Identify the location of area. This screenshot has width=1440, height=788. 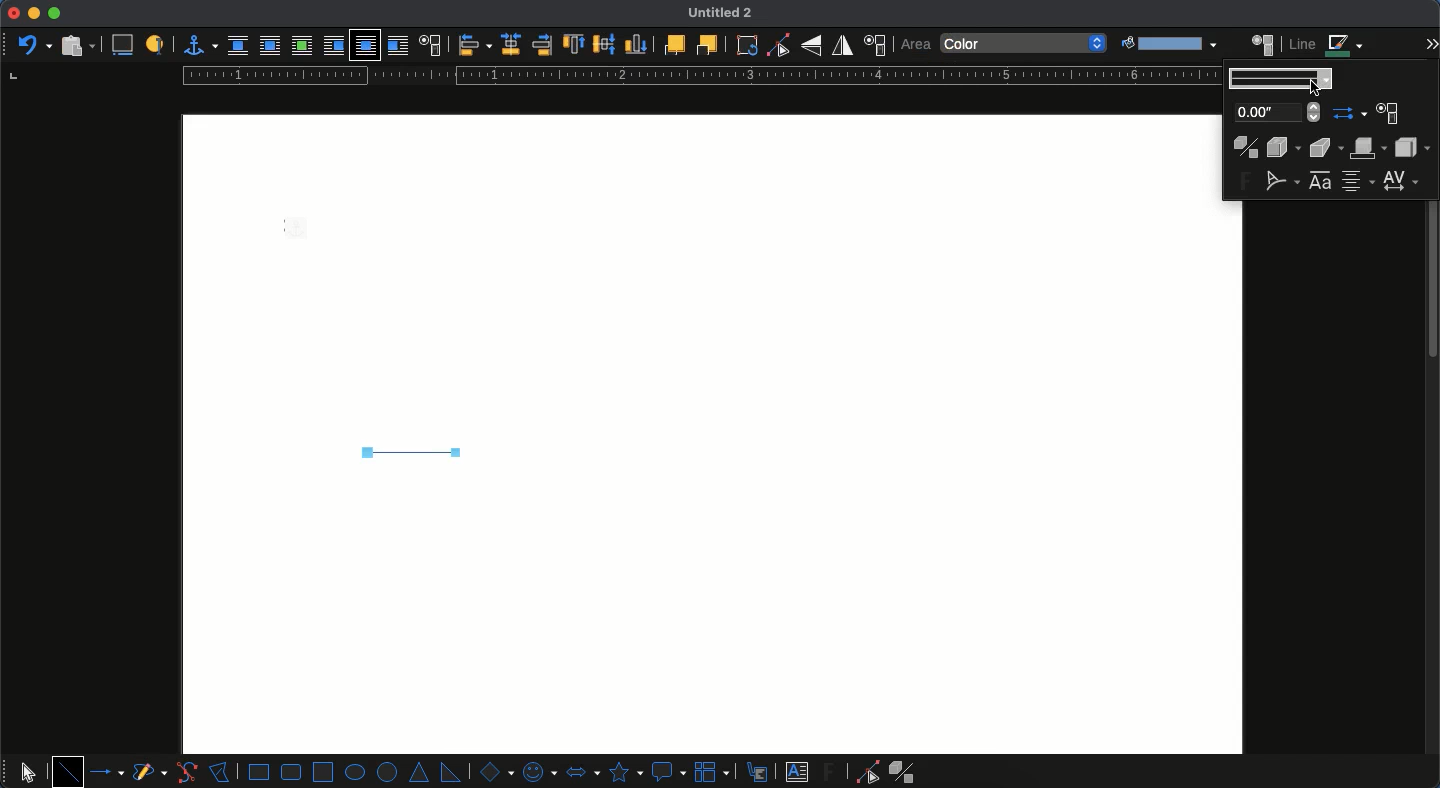
(915, 45).